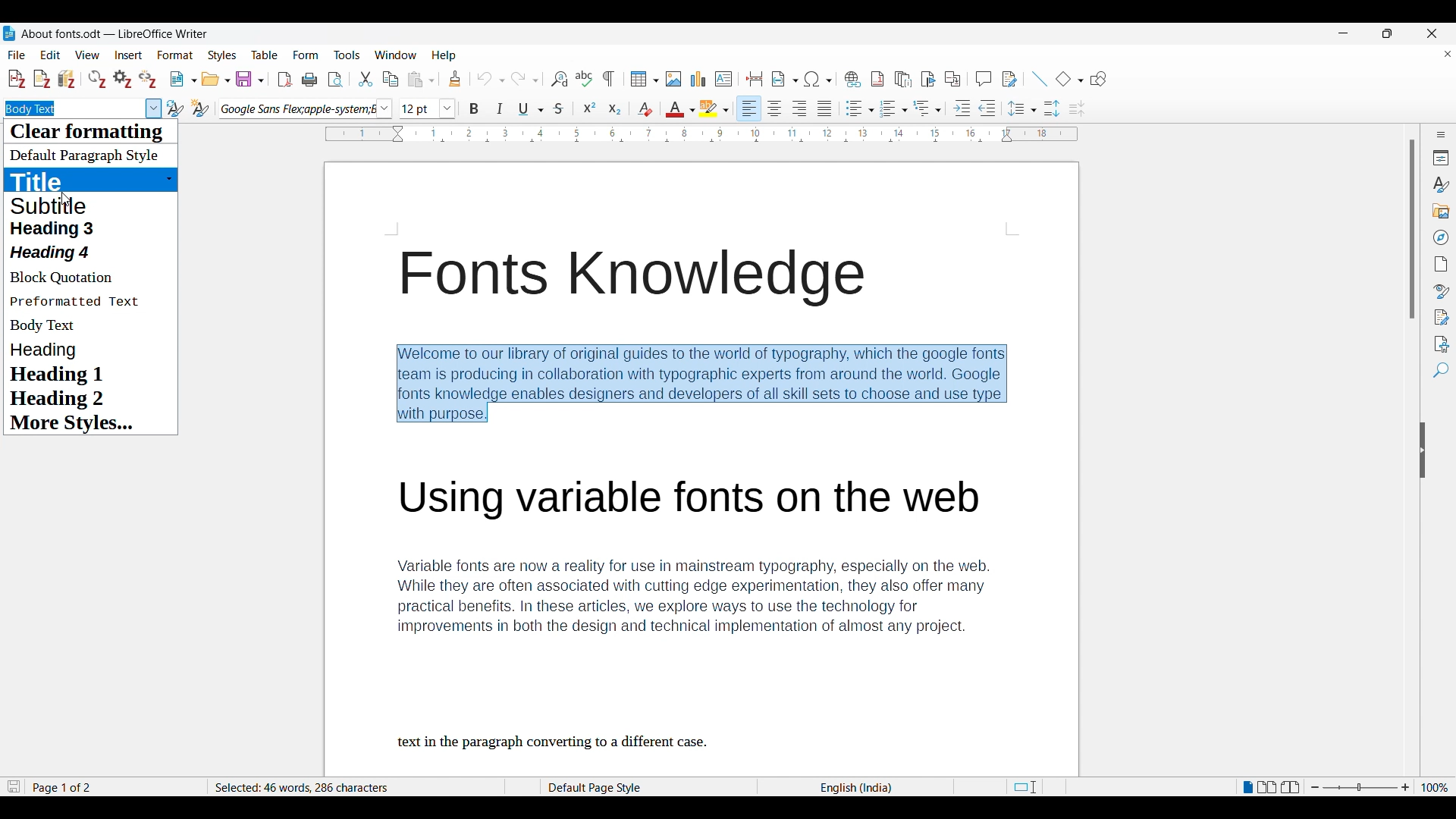 This screenshot has height=819, width=1456. Describe the element at coordinates (1448, 54) in the screenshot. I see `Close document` at that location.